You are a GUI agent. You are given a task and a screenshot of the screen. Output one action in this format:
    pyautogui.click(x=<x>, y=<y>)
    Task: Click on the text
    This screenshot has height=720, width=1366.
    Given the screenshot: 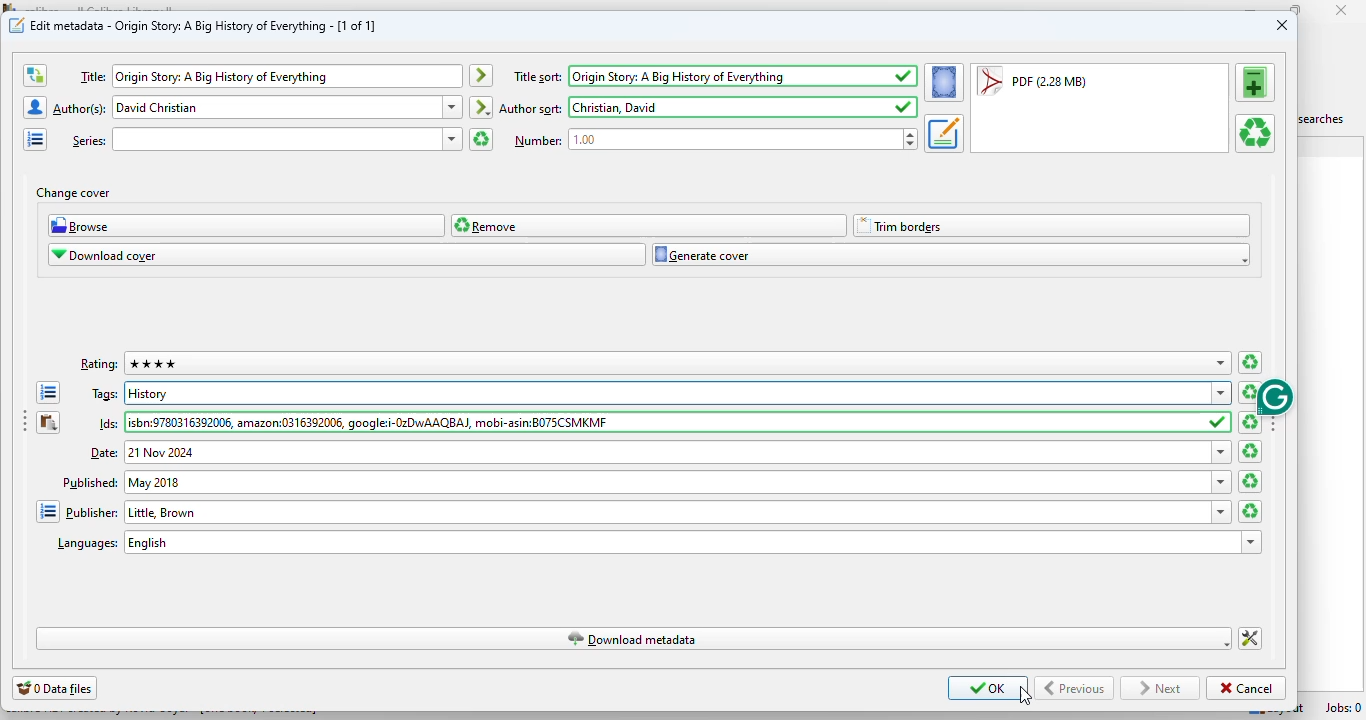 What is the action you would take?
    pyautogui.click(x=537, y=140)
    